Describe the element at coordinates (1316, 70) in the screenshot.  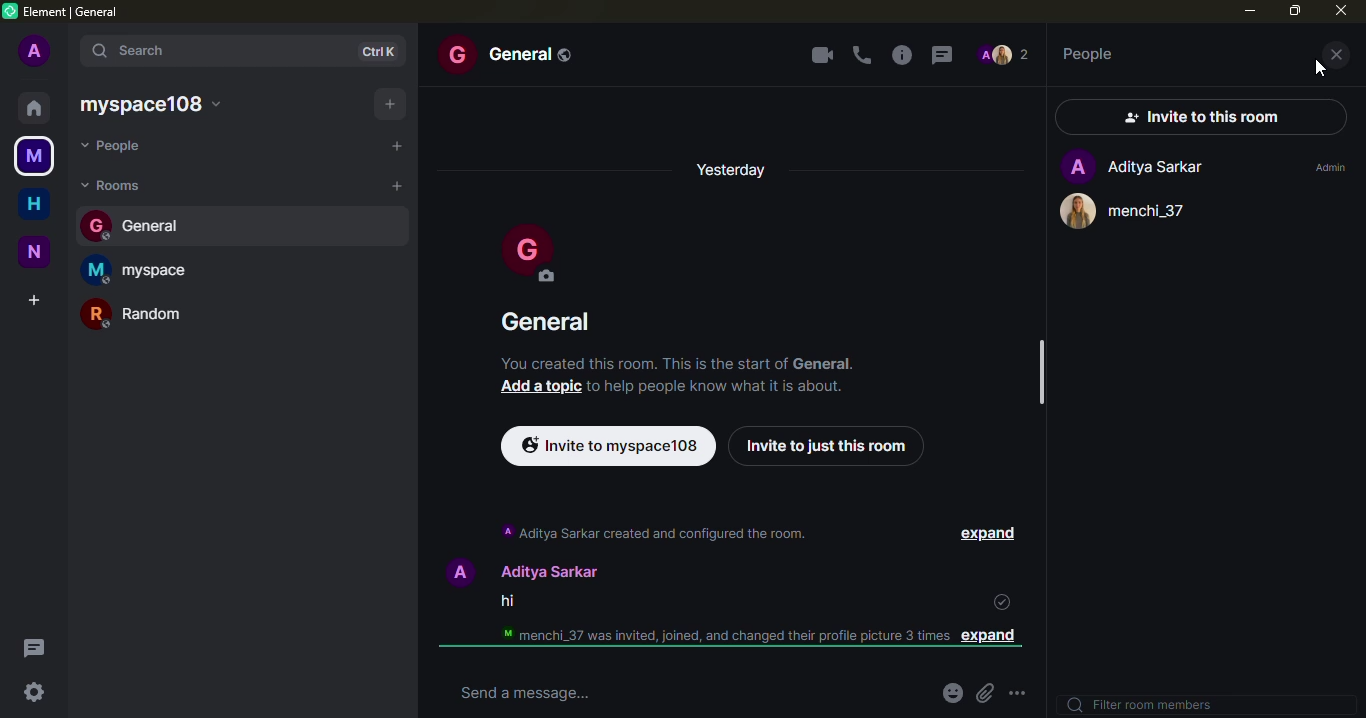
I see `cursor` at that location.